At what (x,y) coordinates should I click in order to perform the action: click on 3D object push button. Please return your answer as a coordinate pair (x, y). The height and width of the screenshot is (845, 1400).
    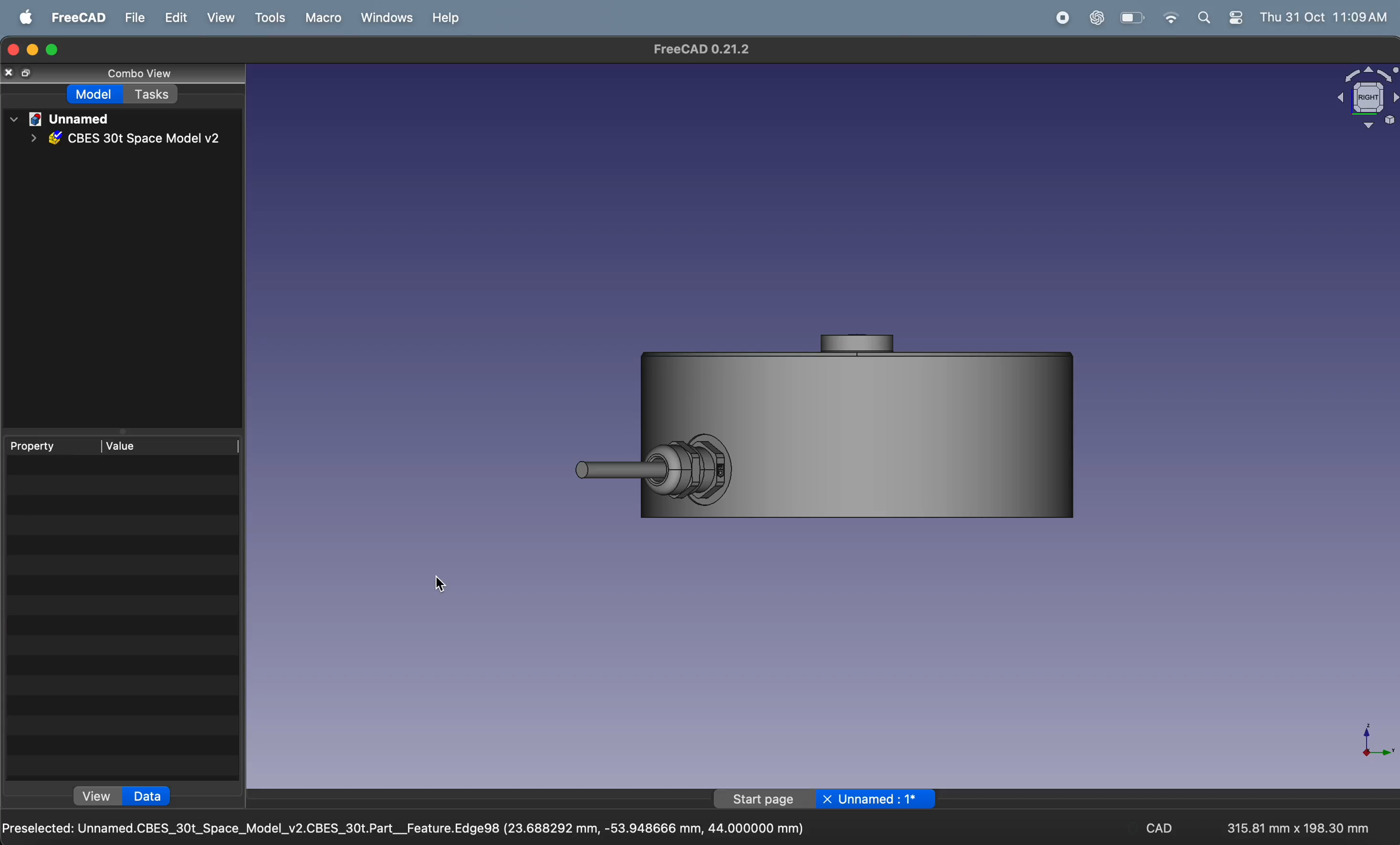
    Looking at the image, I should click on (828, 425).